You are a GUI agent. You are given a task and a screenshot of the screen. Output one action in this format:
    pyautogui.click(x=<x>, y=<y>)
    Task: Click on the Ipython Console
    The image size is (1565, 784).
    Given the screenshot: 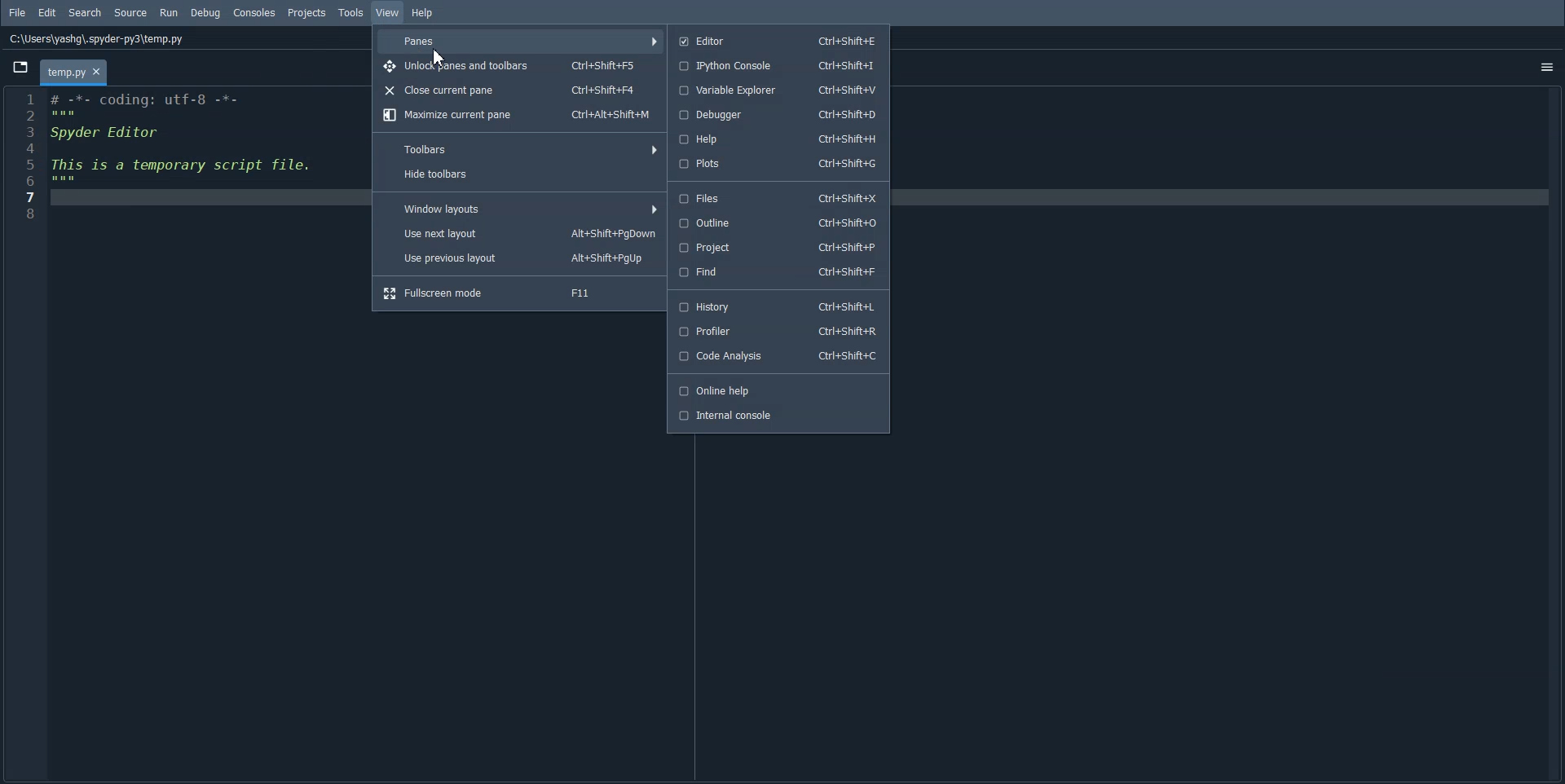 What is the action you would take?
    pyautogui.click(x=778, y=65)
    